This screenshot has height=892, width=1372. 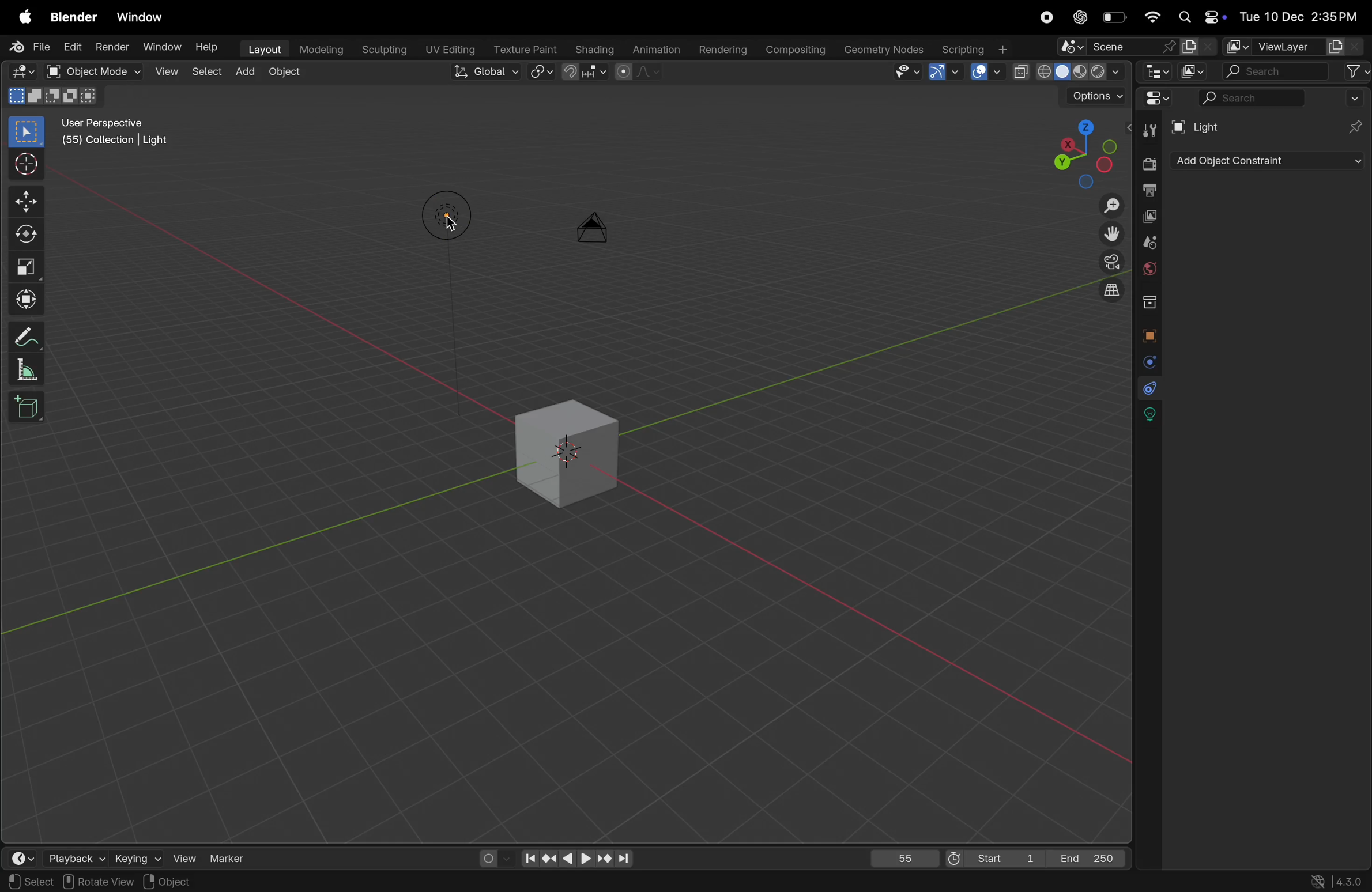 What do you see at coordinates (1146, 362) in the screenshot?
I see `physics` at bounding box center [1146, 362].